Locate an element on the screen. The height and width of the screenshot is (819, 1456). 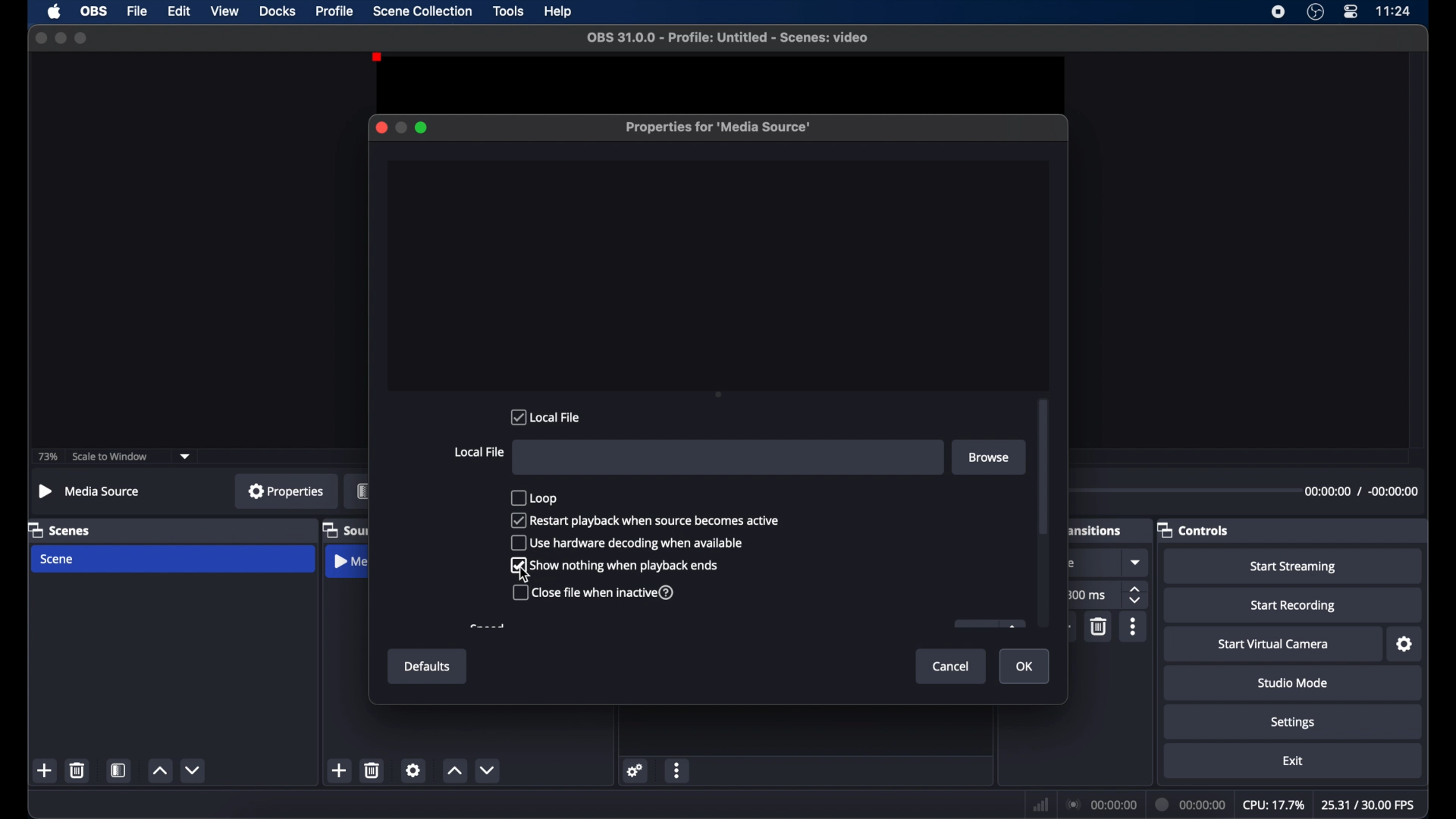
delete is located at coordinates (372, 770).